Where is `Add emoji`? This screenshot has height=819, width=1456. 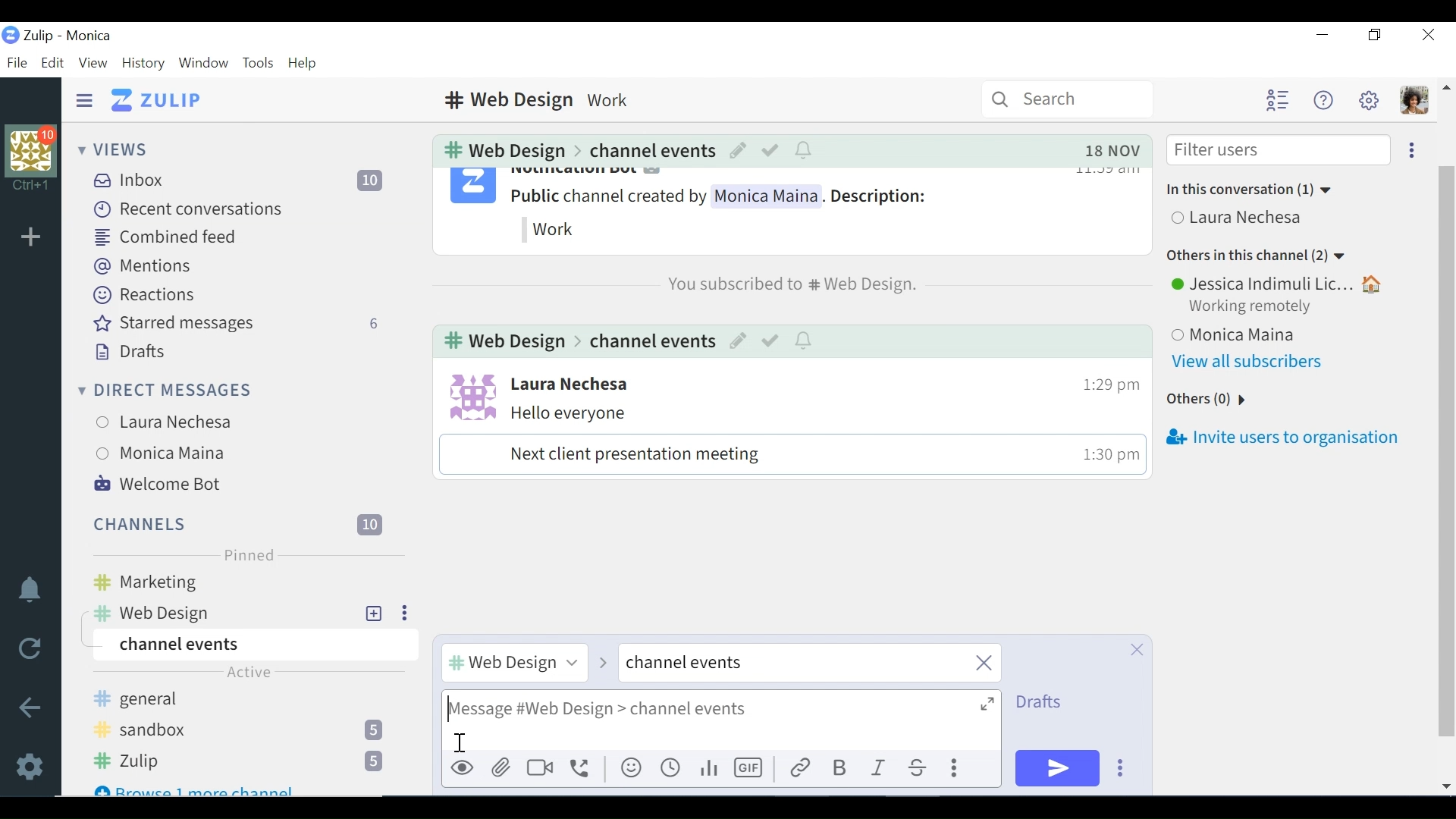
Add emoji is located at coordinates (630, 769).